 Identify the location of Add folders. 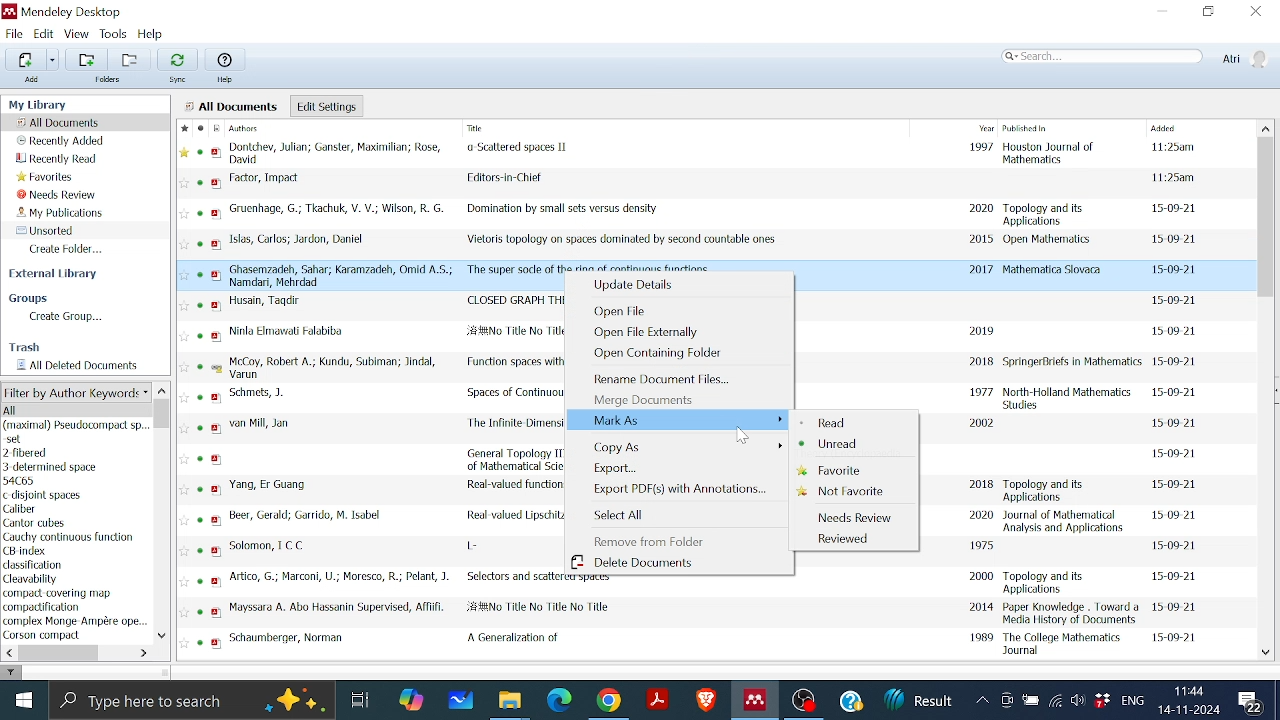
(86, 60).